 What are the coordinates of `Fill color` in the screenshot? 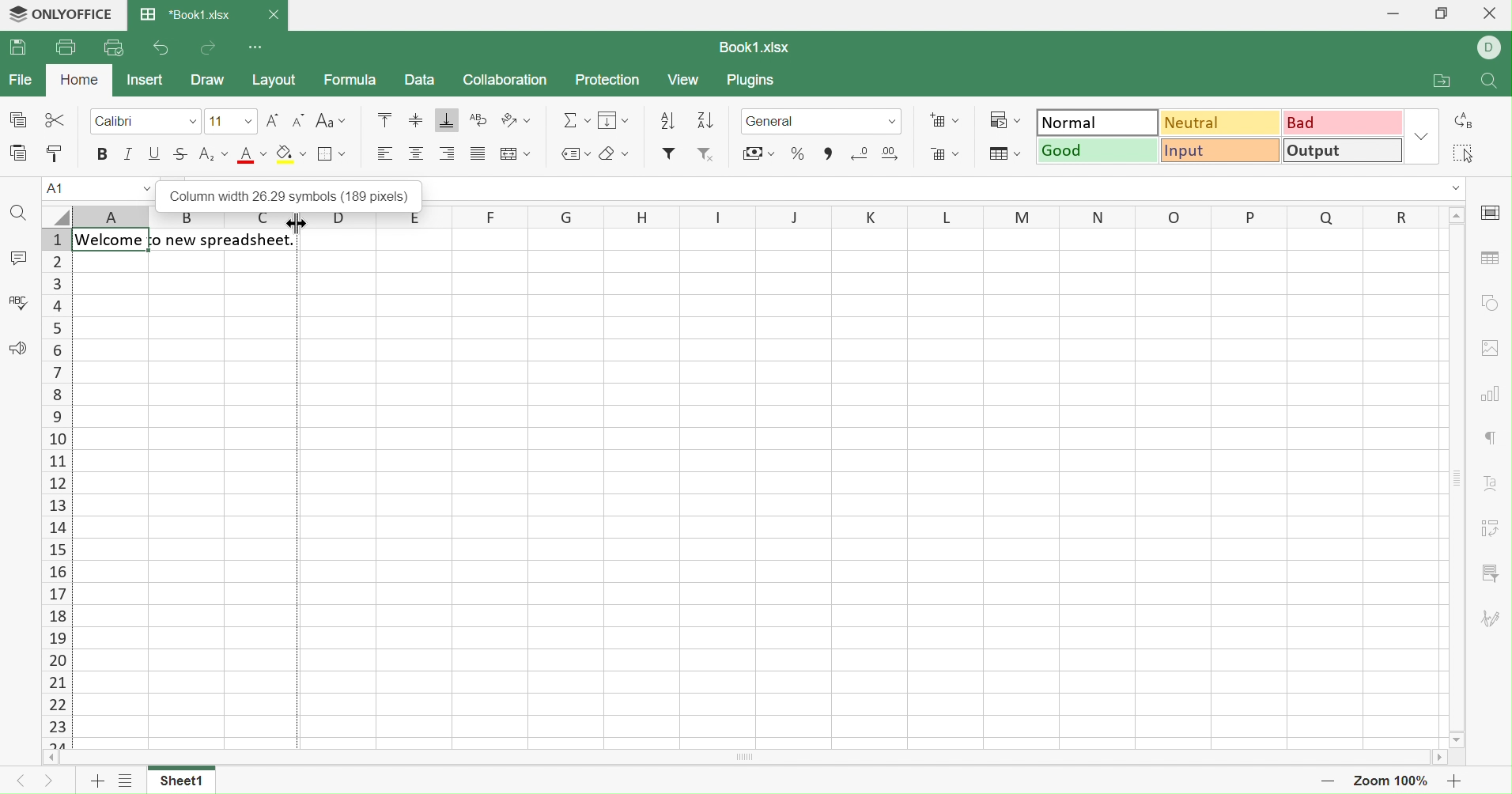 It's located at (291, 153).